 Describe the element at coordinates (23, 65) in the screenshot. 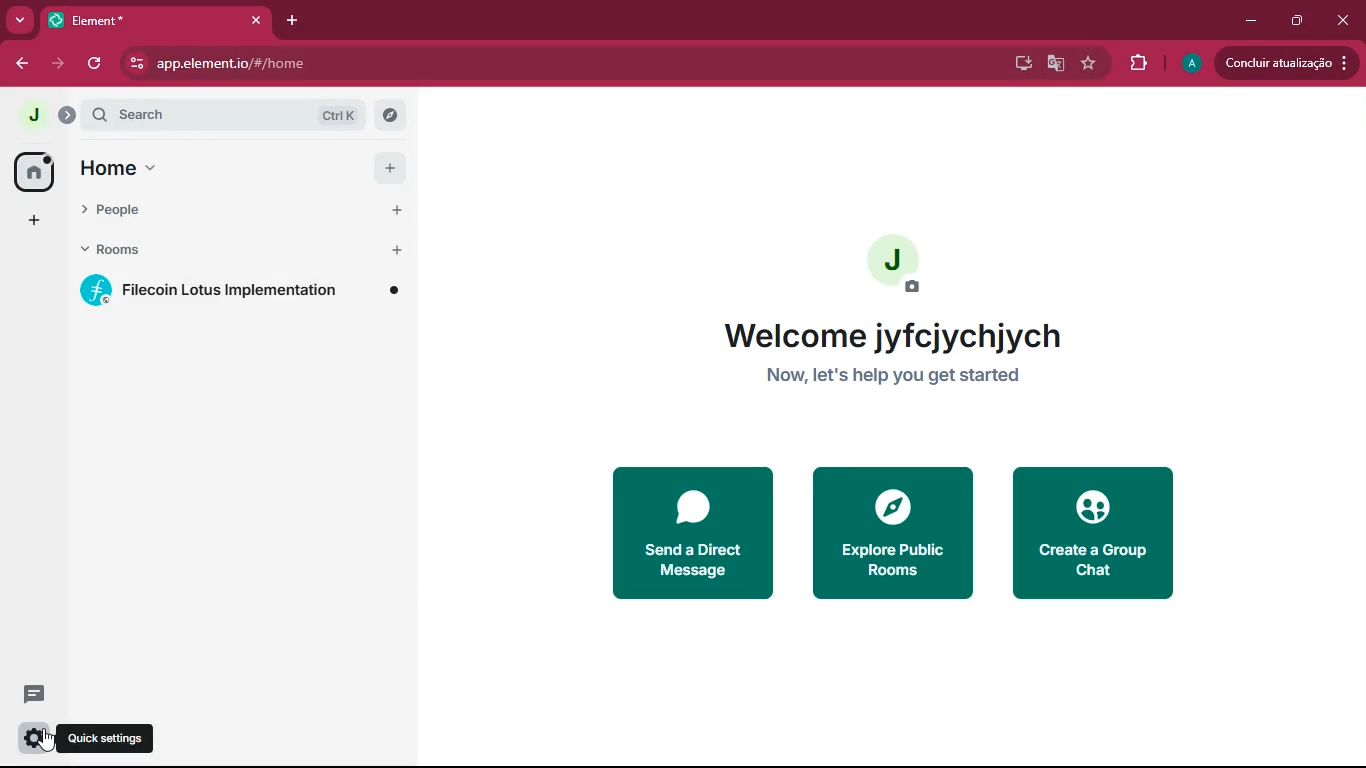

I see `back` at that location.